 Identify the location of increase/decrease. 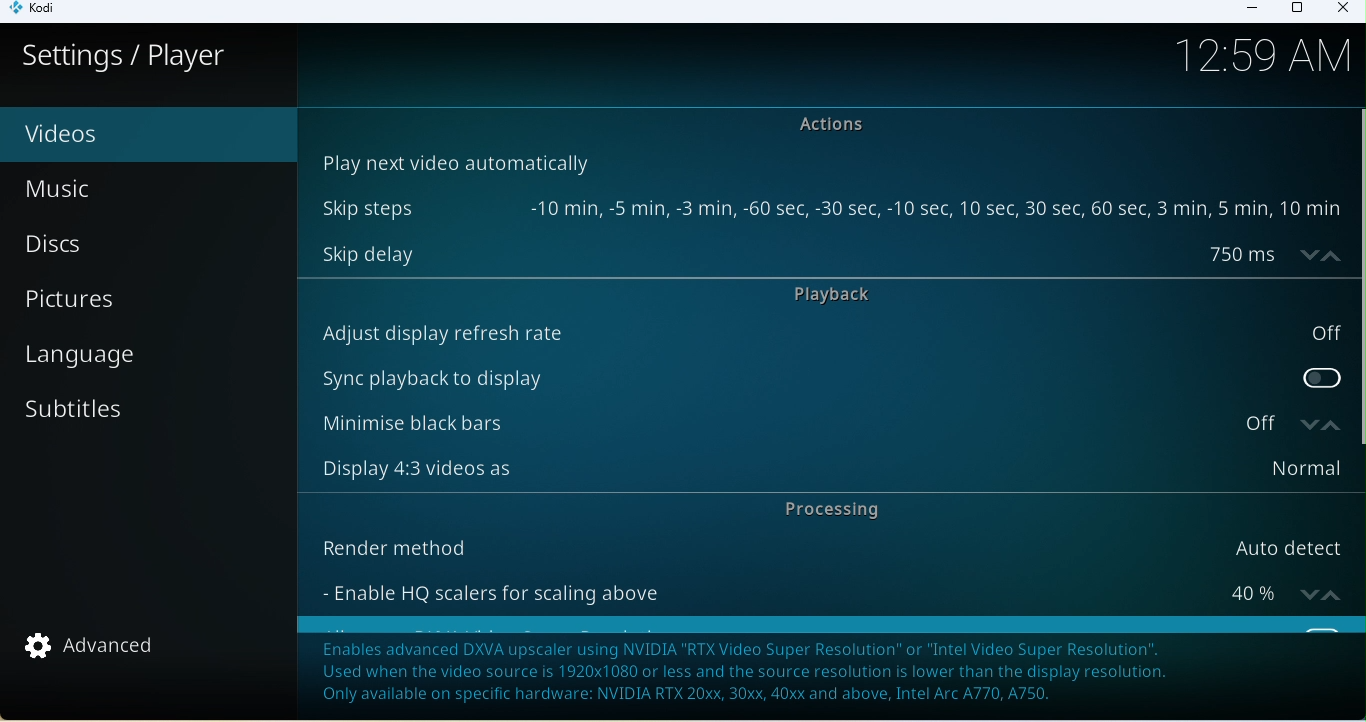
(1323, 589).